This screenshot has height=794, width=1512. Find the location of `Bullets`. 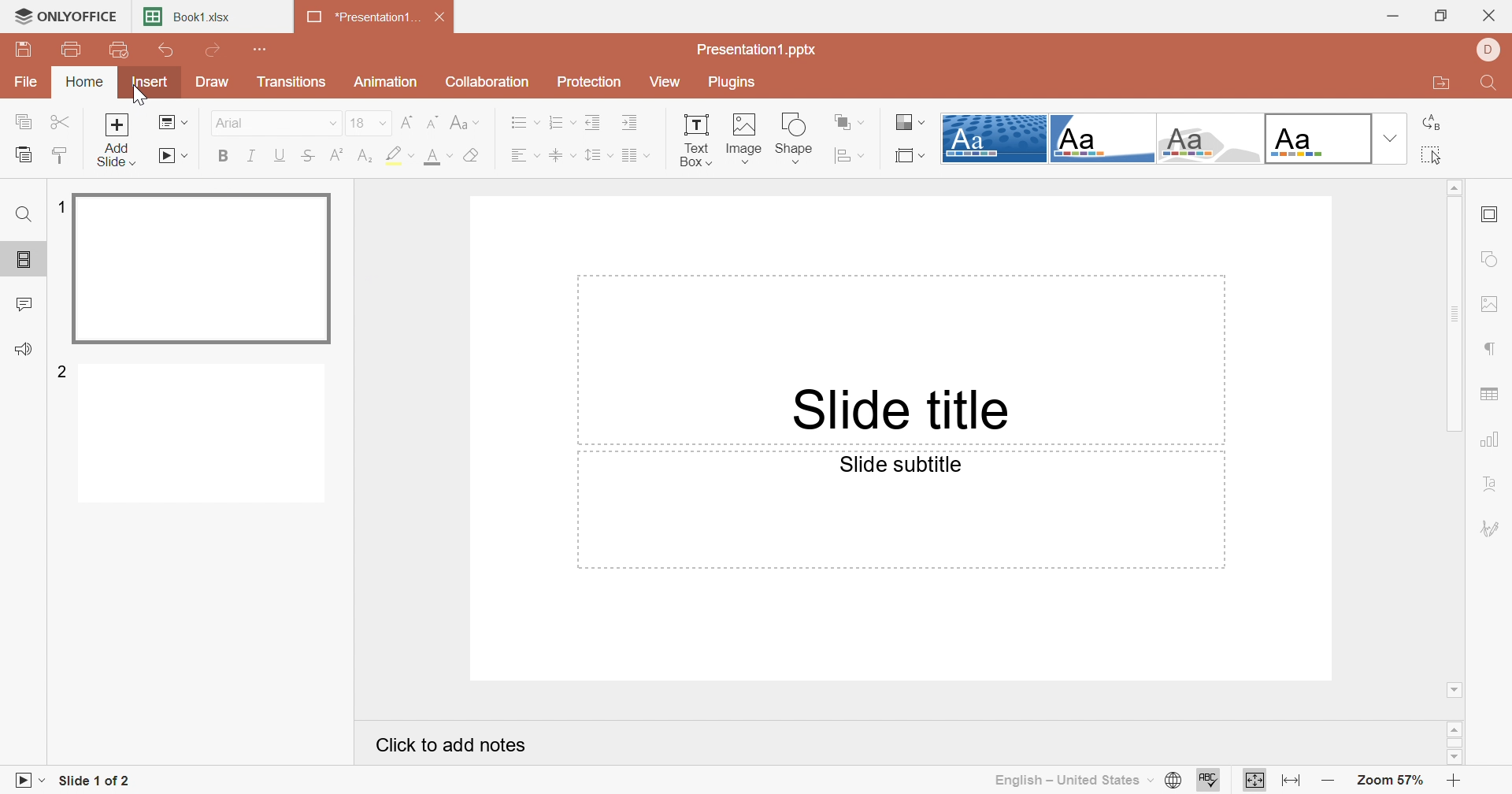

Bullets is located at coordinates (522, 122).